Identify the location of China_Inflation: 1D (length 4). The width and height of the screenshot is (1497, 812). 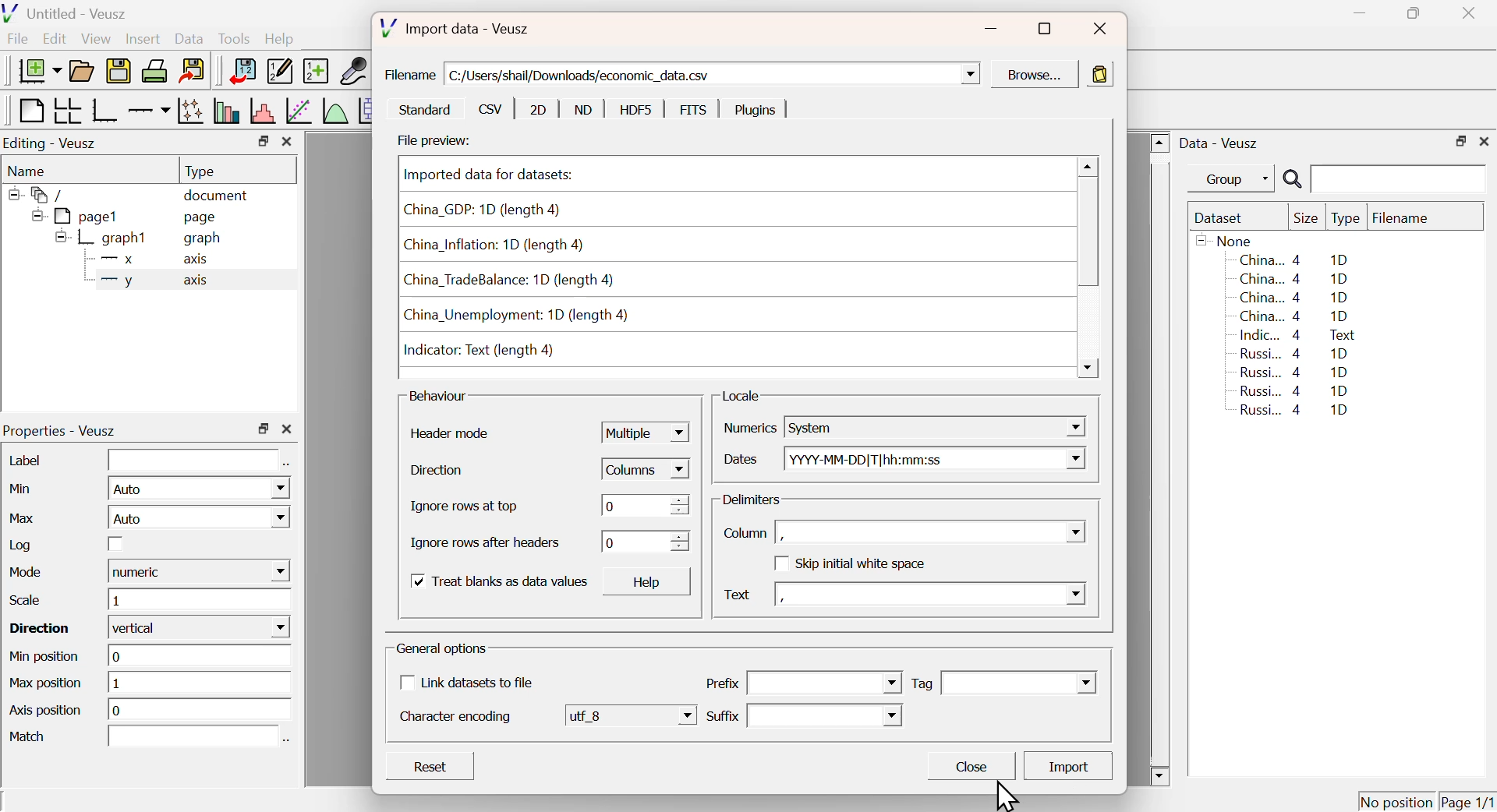
(497, 245).